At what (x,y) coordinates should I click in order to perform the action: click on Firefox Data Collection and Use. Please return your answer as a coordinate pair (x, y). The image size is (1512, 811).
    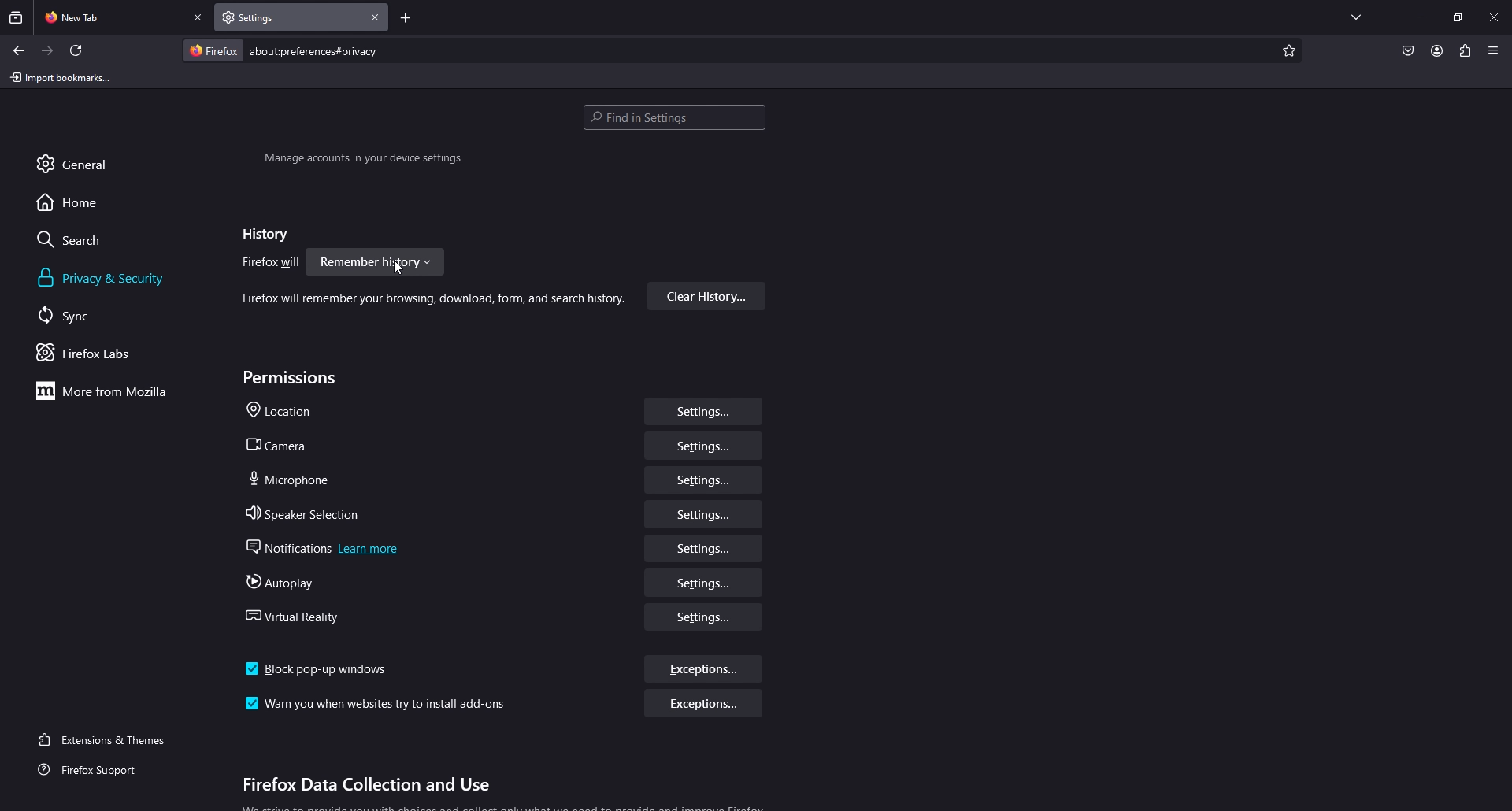
    Looking at the image, I should click on (365, 786).